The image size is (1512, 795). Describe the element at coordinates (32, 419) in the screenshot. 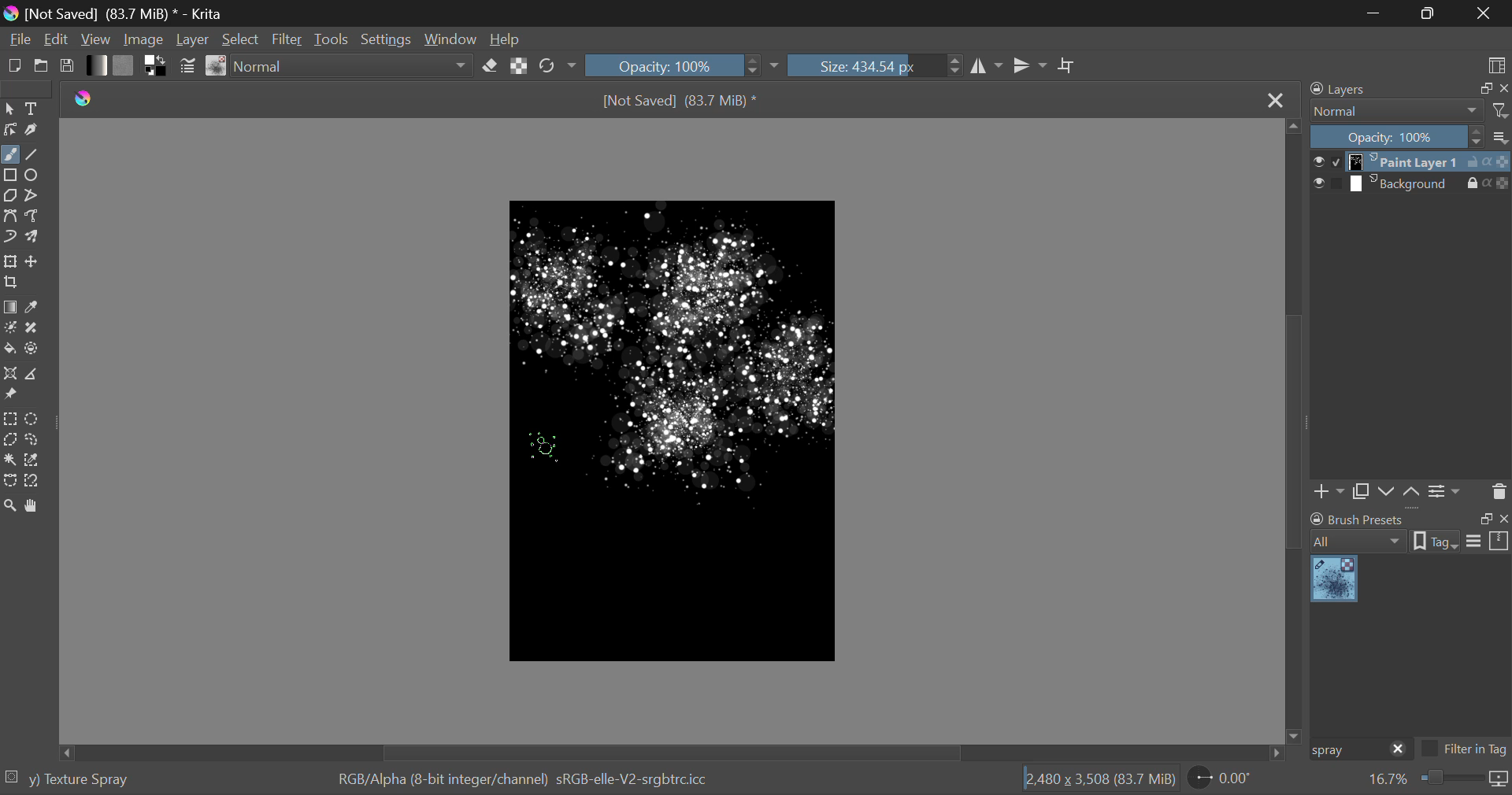

I see `Circular Selection` at that location.